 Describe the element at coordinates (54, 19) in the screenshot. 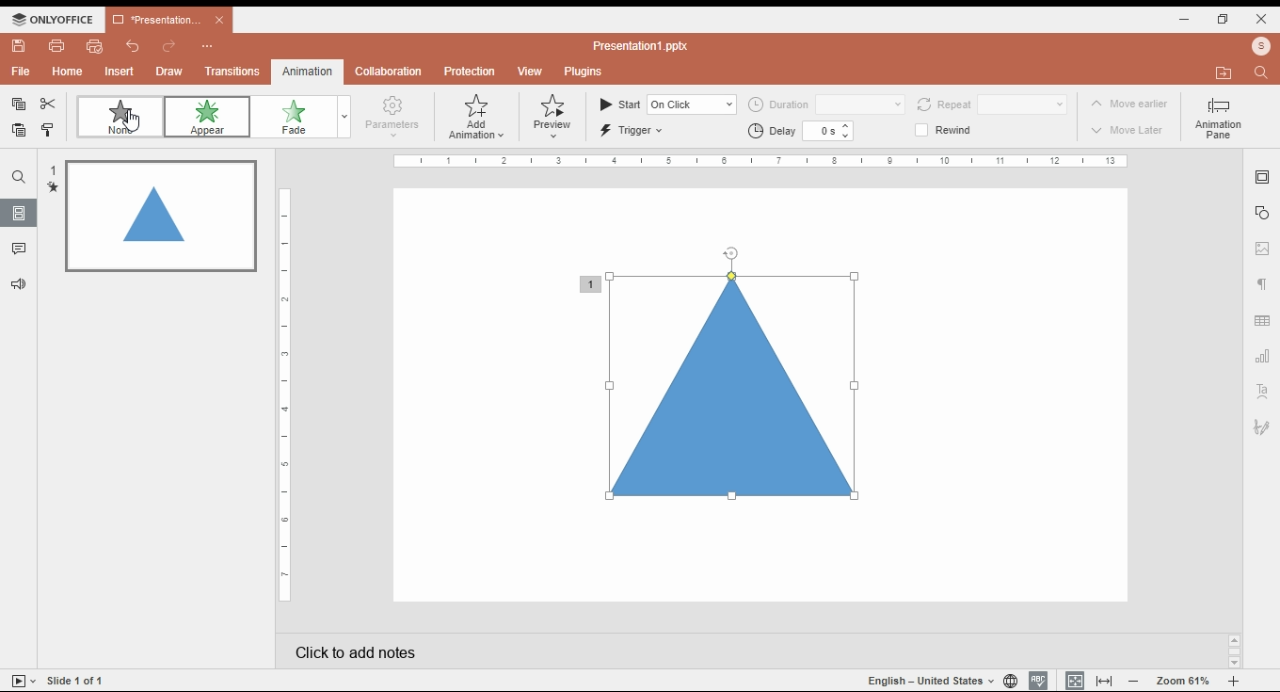

I see `icon and menu` at that location.